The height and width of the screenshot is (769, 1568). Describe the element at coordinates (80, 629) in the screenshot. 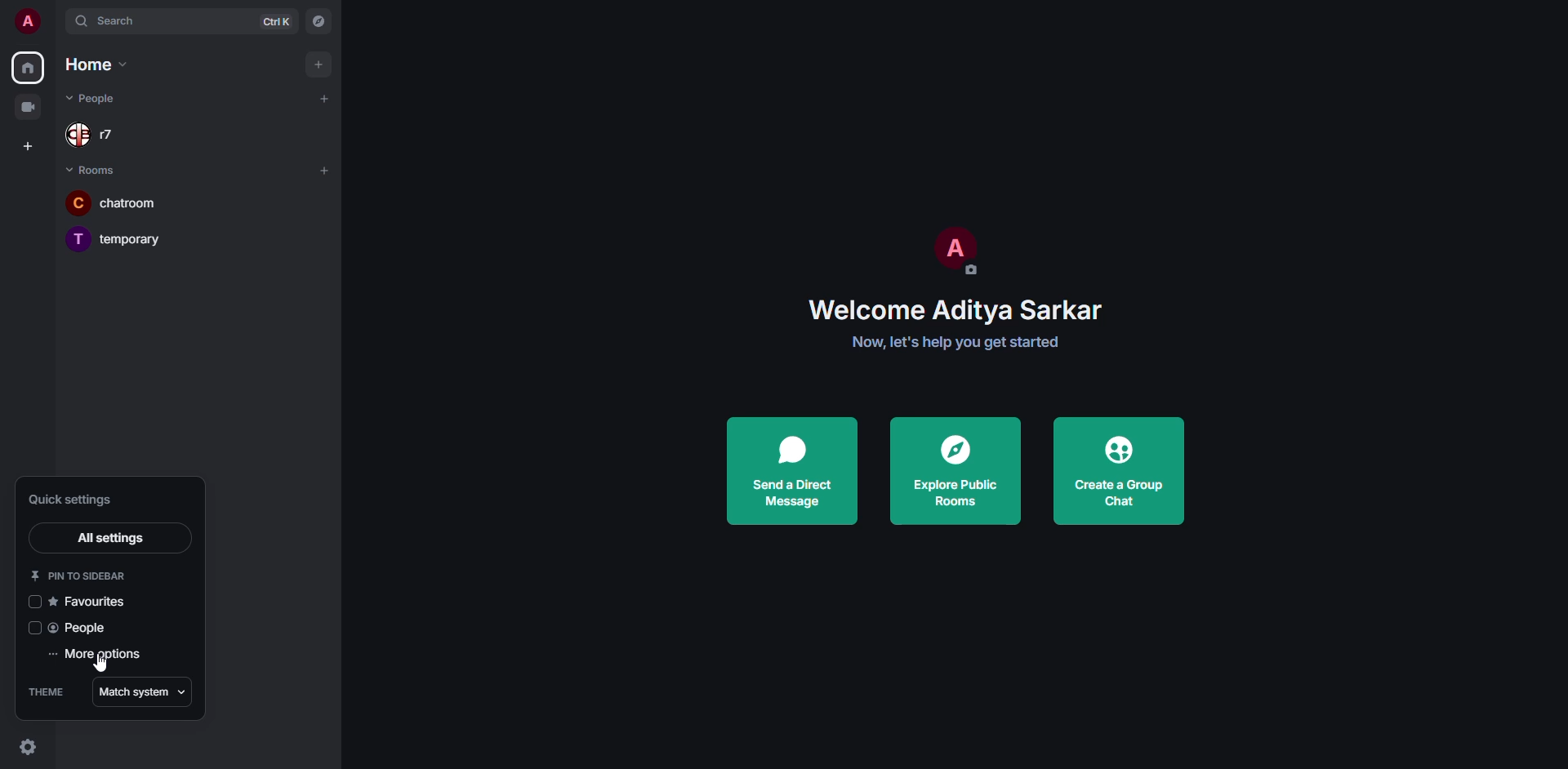

I see `people` at that location.